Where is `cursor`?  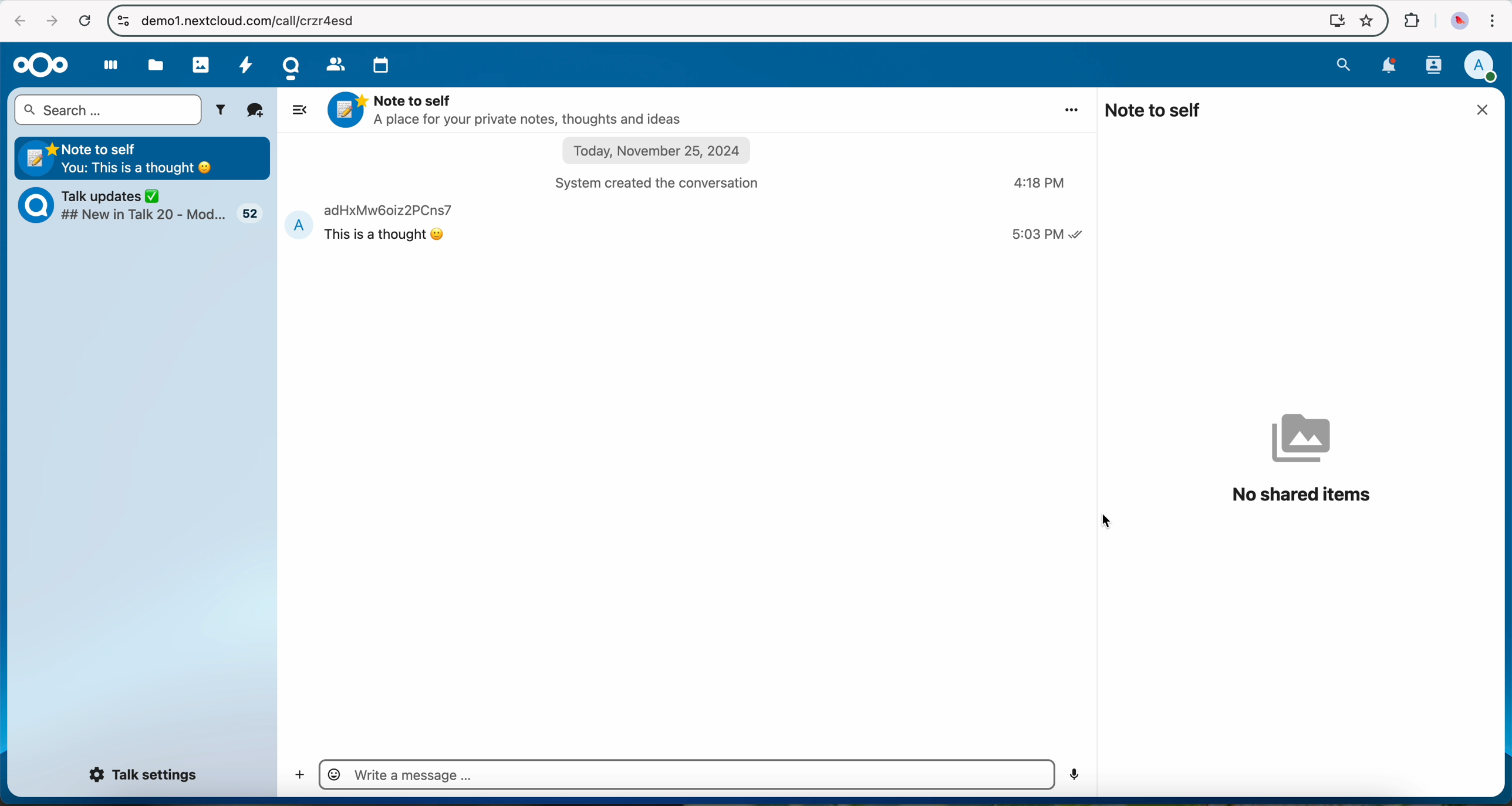
cursor is located at coordinates (1106, 520).